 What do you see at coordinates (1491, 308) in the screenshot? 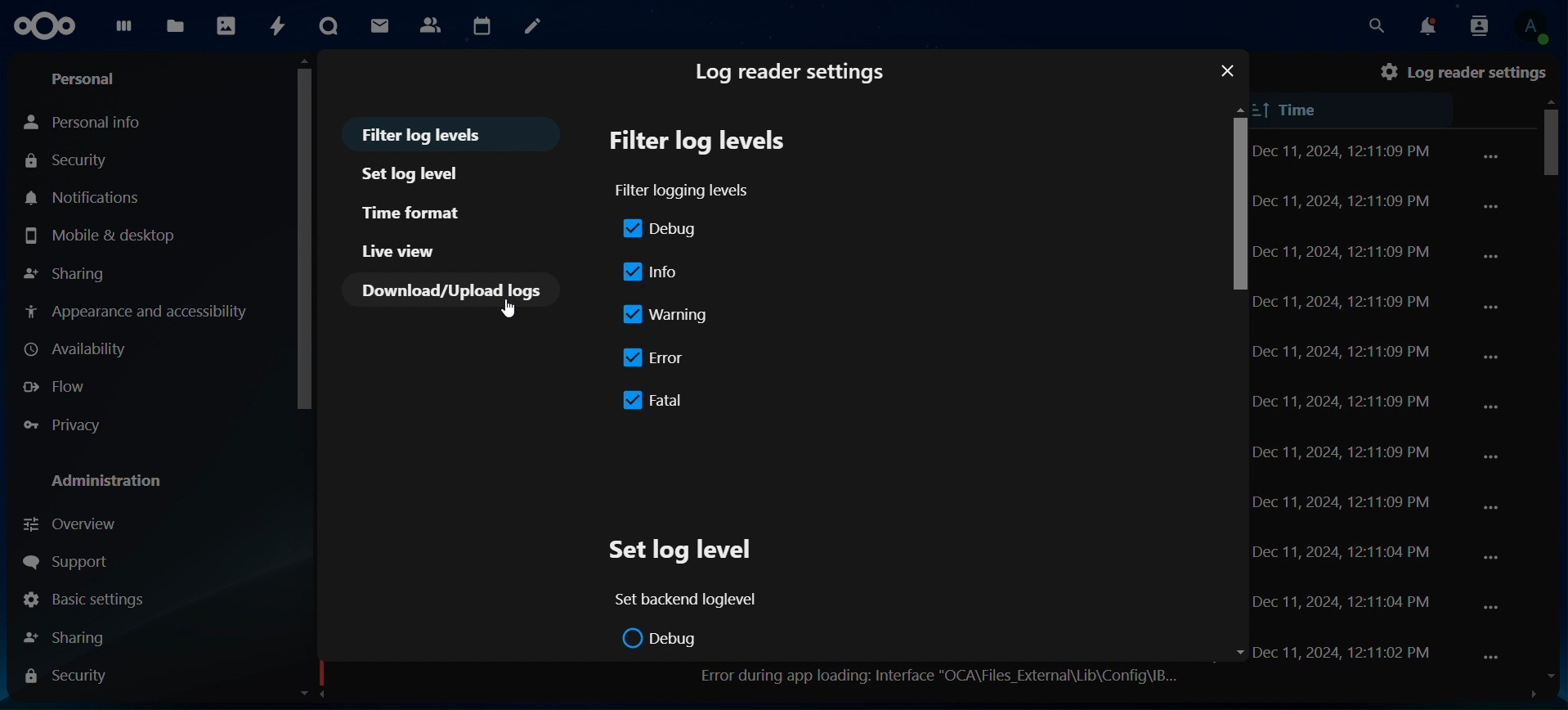
I see `...` at bounding box center [1491, 308].